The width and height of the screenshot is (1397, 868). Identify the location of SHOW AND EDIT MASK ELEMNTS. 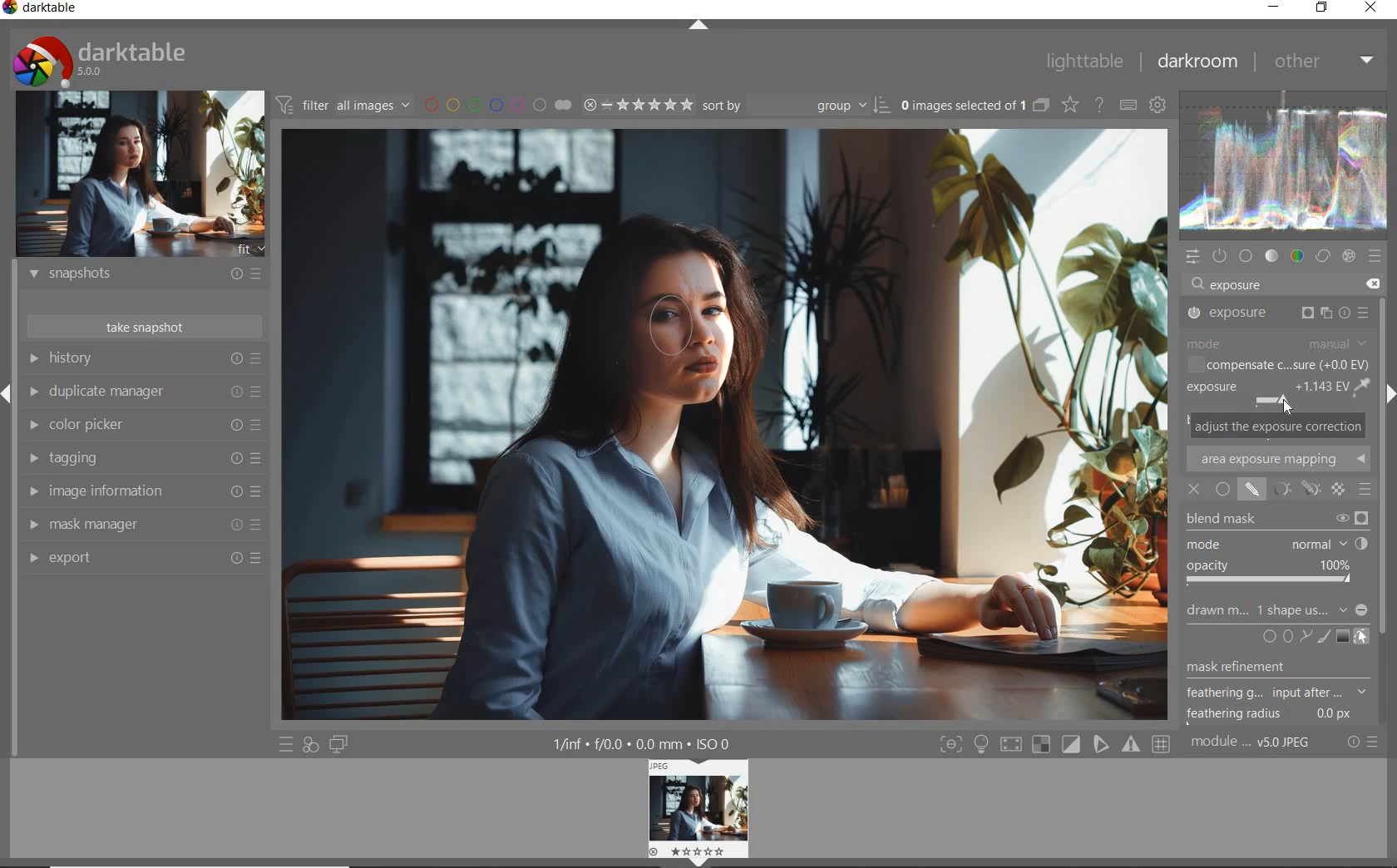
(1360, 637).